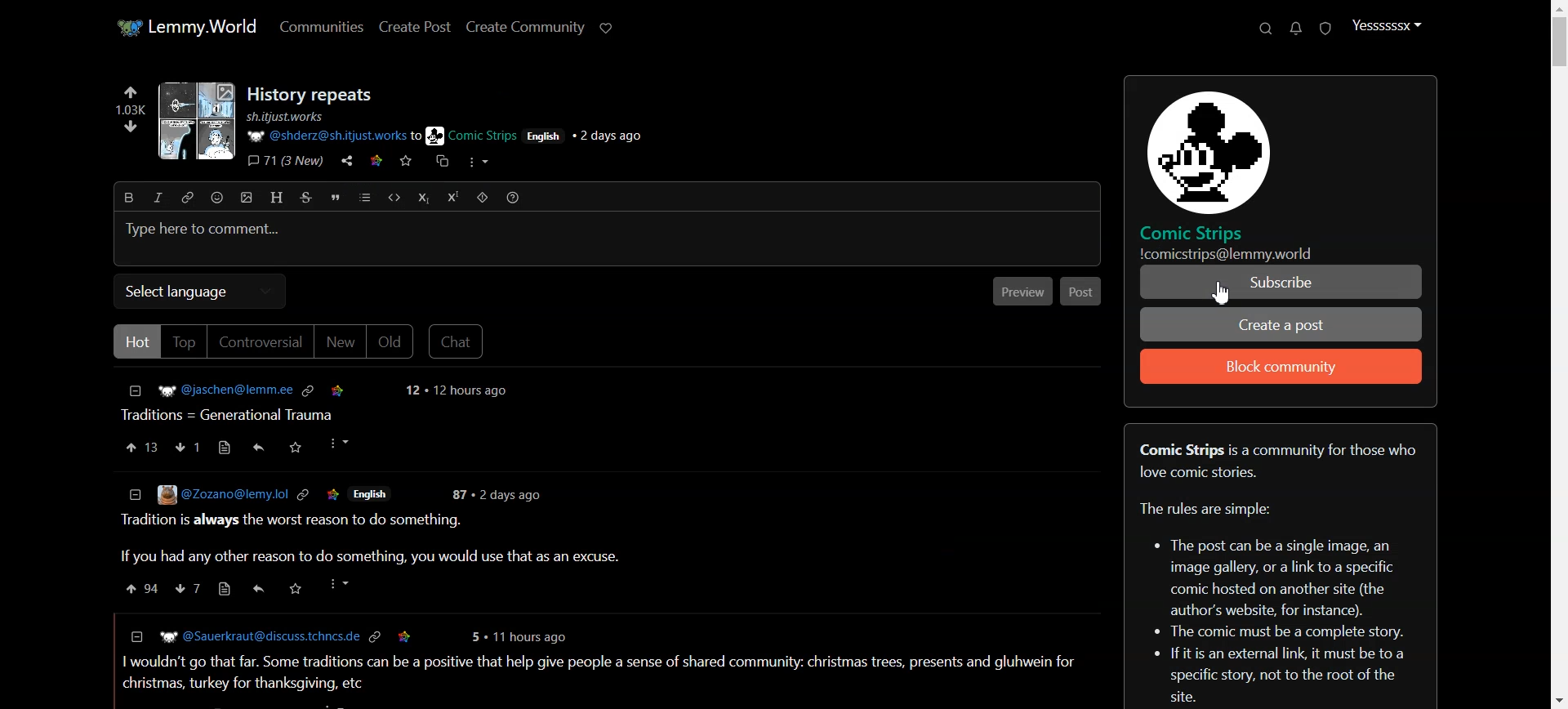  What do you see at coordinates (364, 197) in the screenshot?
I see `list` at bounding box center [364, 197].